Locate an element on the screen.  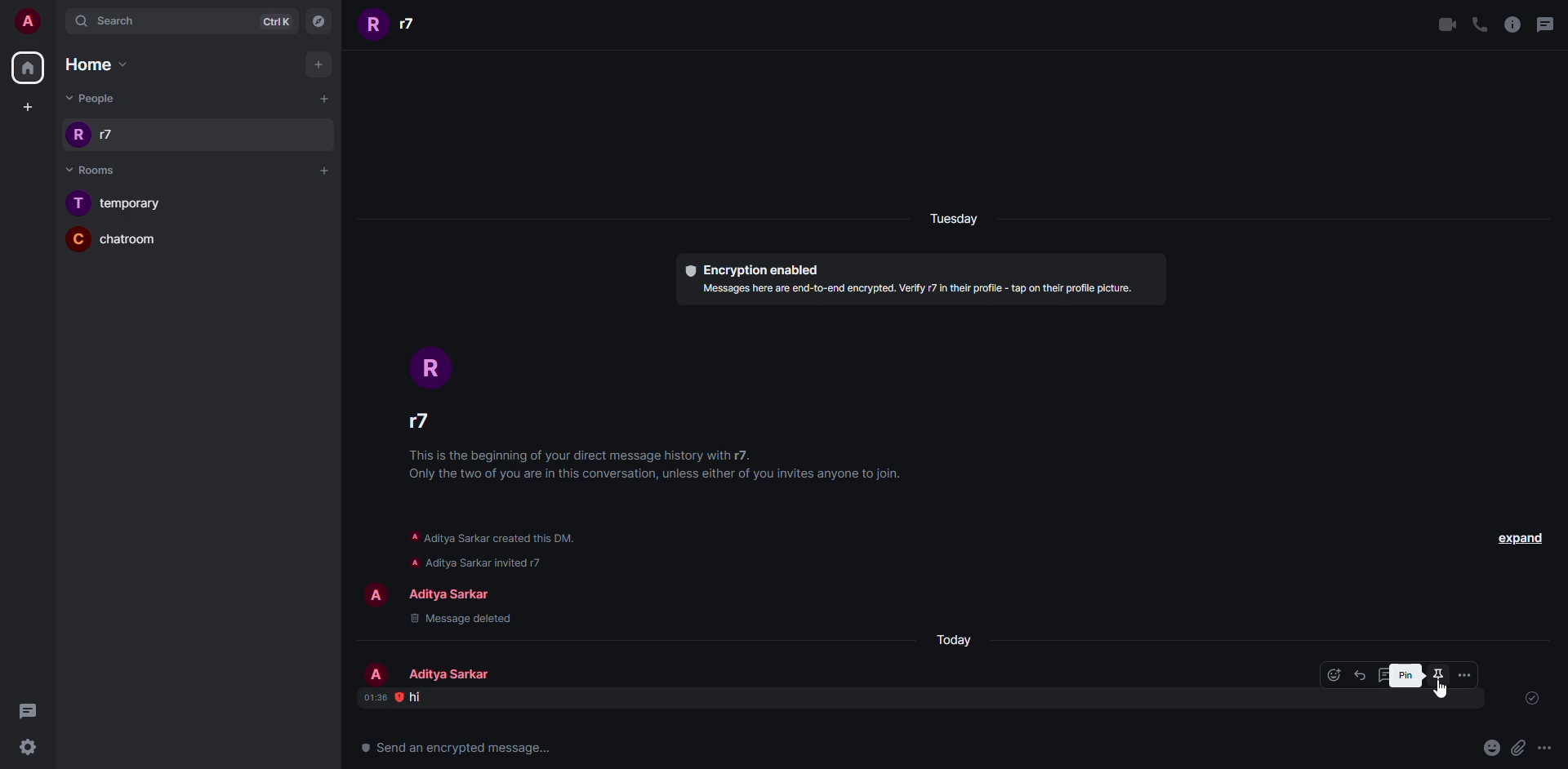
home is located at coordinates (96, 65).